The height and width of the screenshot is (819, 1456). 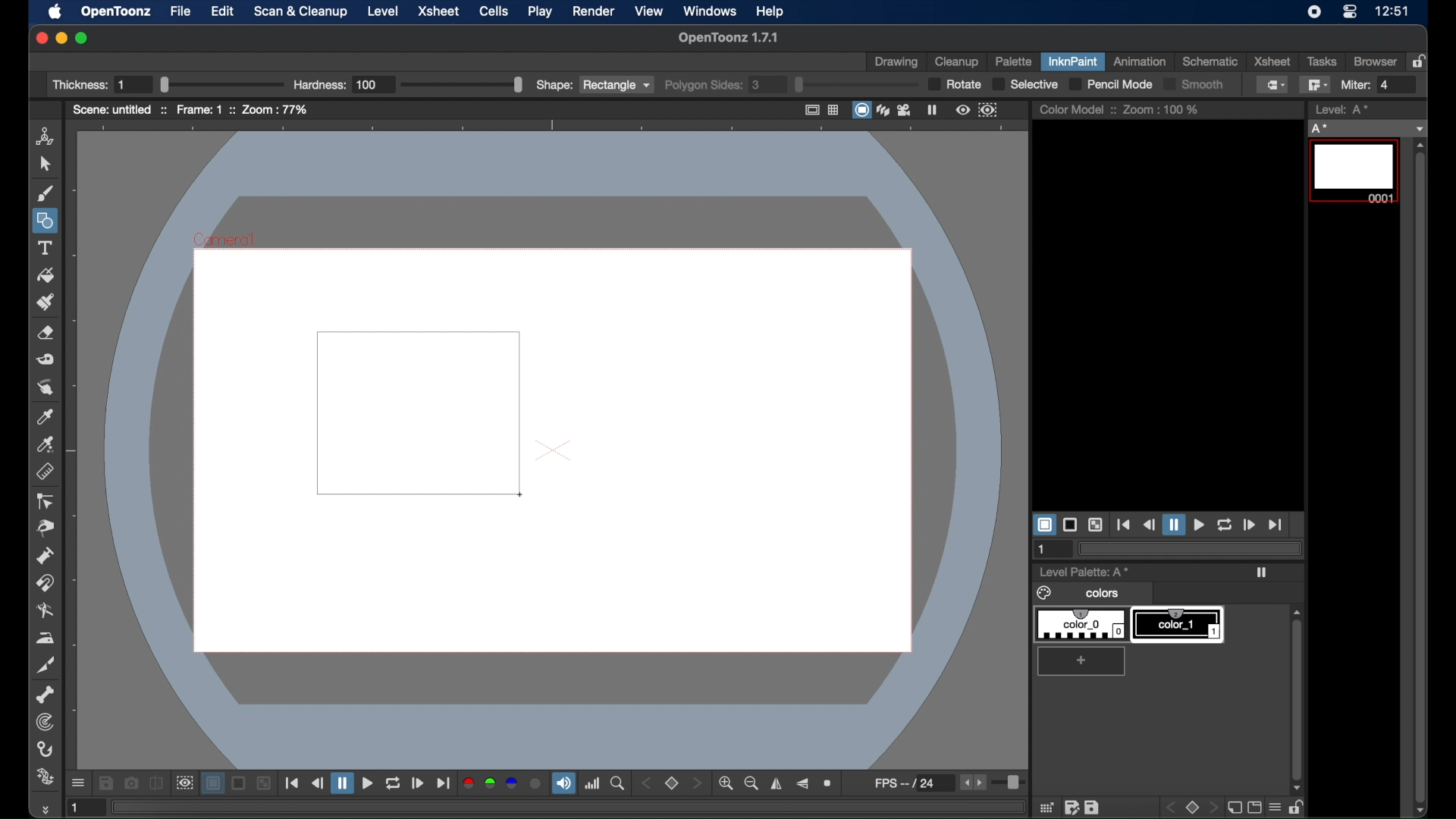 I want to click on forward, so click(x=1248, y=524).